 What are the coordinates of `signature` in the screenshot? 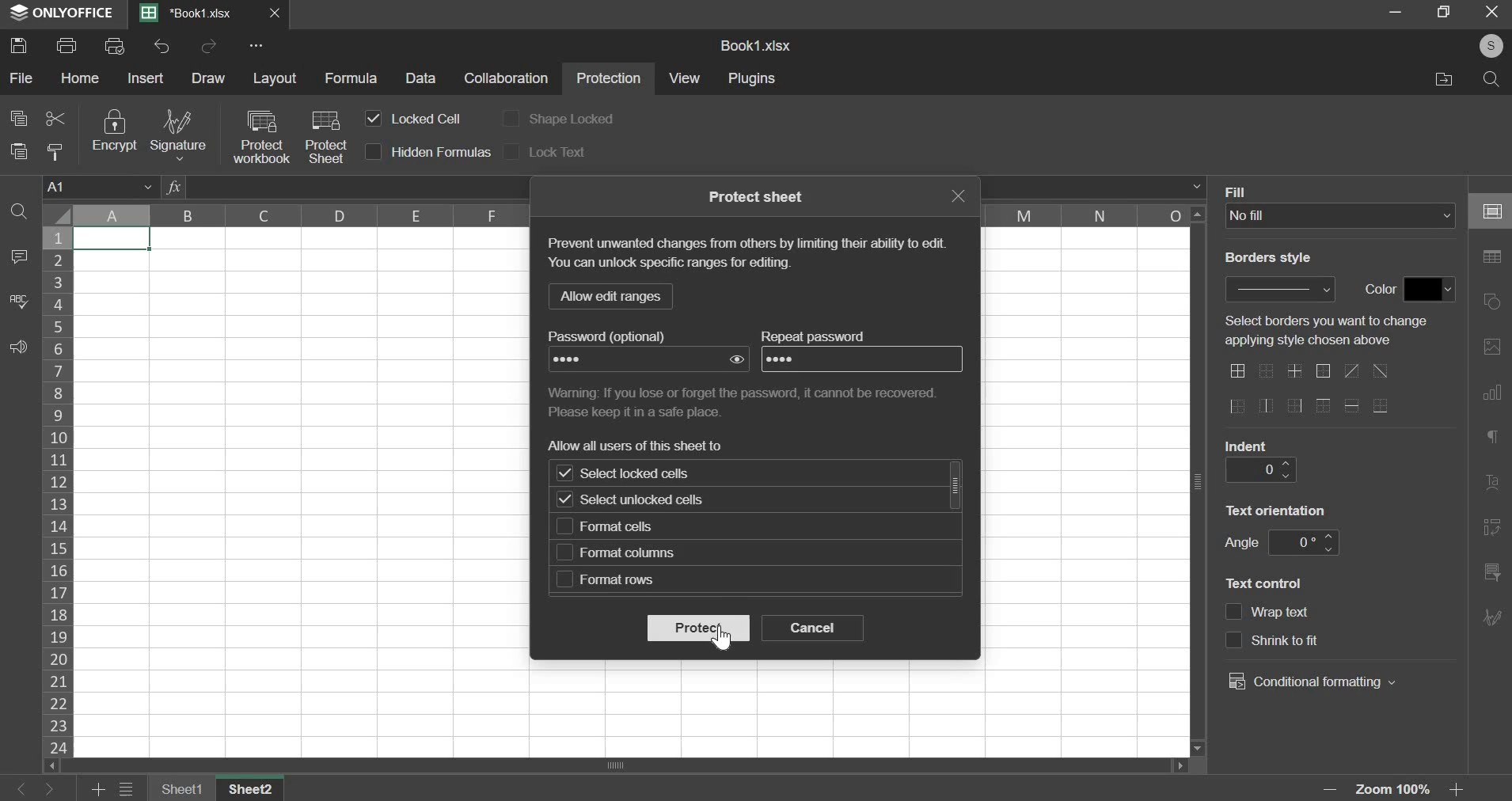 It's located at (177, 135).